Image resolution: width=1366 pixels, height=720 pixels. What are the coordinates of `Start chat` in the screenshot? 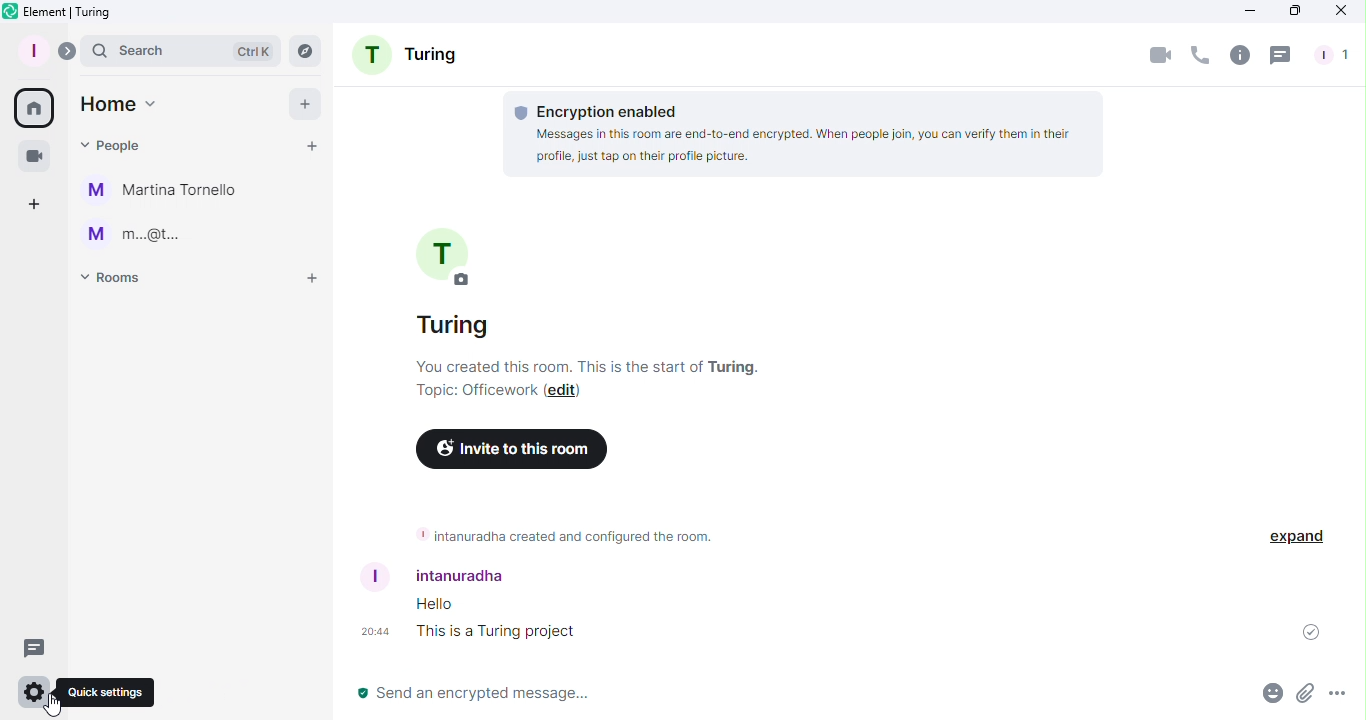 It's located at (312, 146).